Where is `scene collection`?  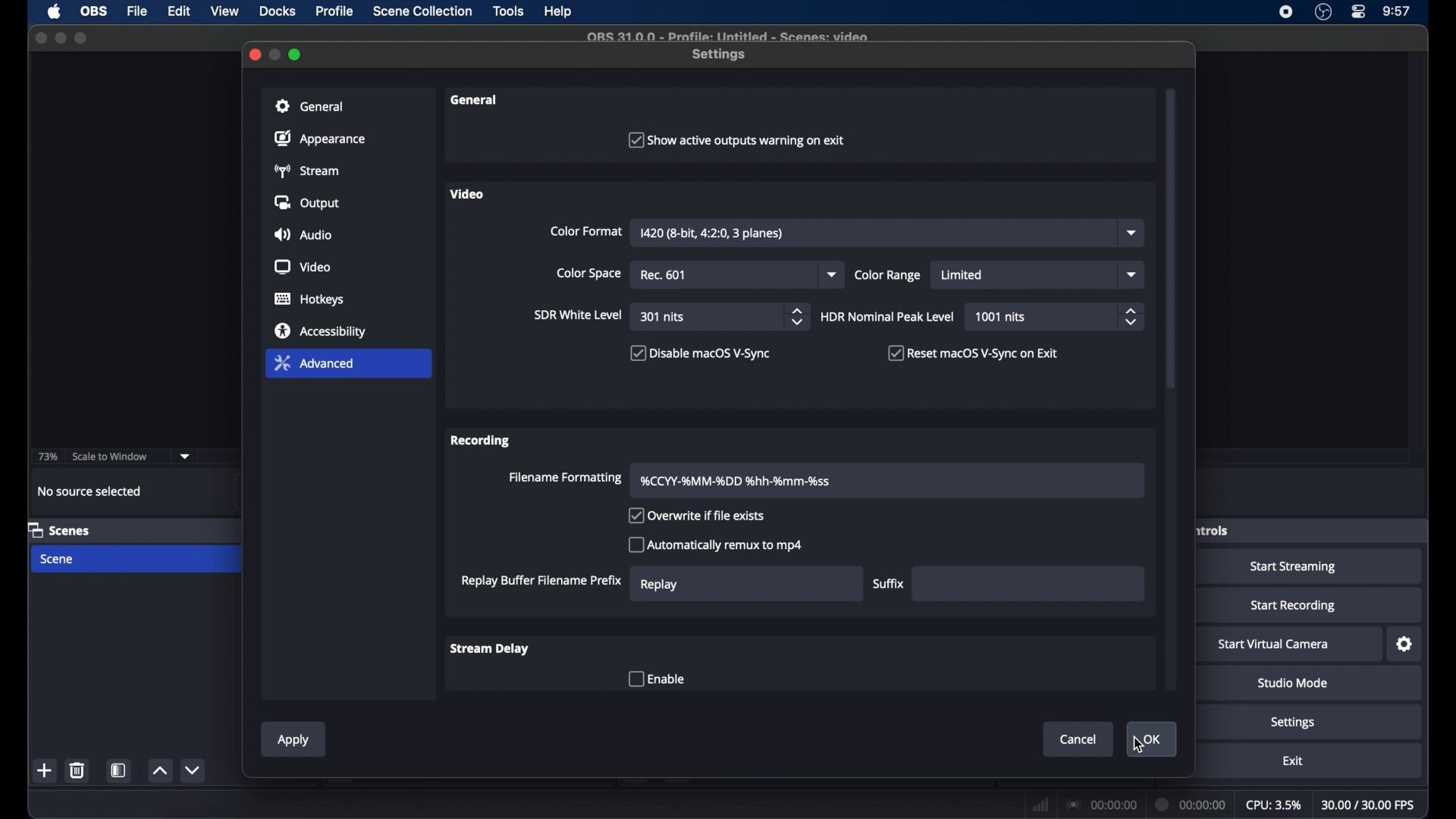
scene collection is located at coordinates (424, 11).